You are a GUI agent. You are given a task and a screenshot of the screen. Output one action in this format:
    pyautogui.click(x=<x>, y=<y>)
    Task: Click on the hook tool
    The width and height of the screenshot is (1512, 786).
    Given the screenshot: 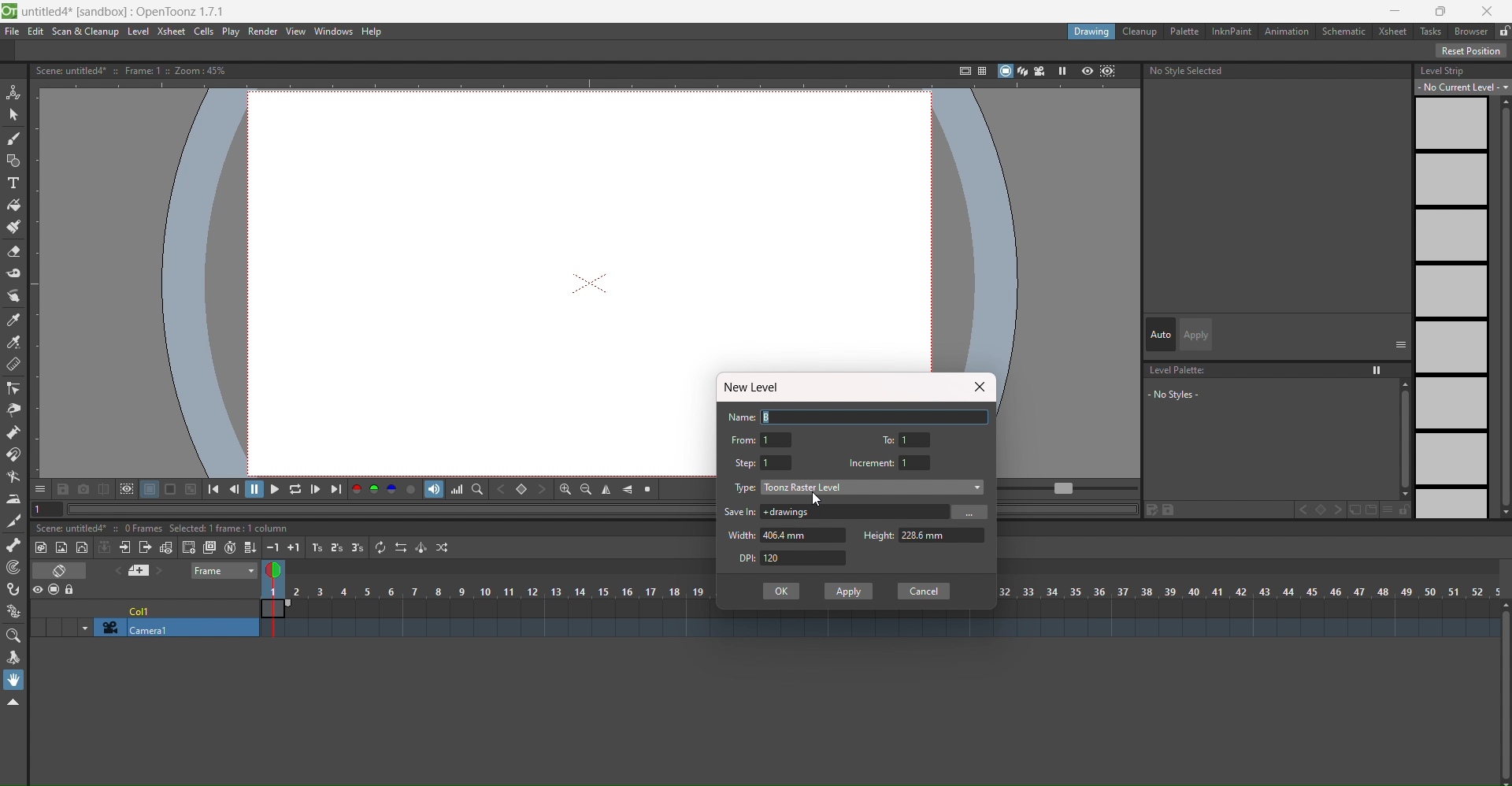 What is the action you would take?
    pyautogui.click(x=14, y=589)
    